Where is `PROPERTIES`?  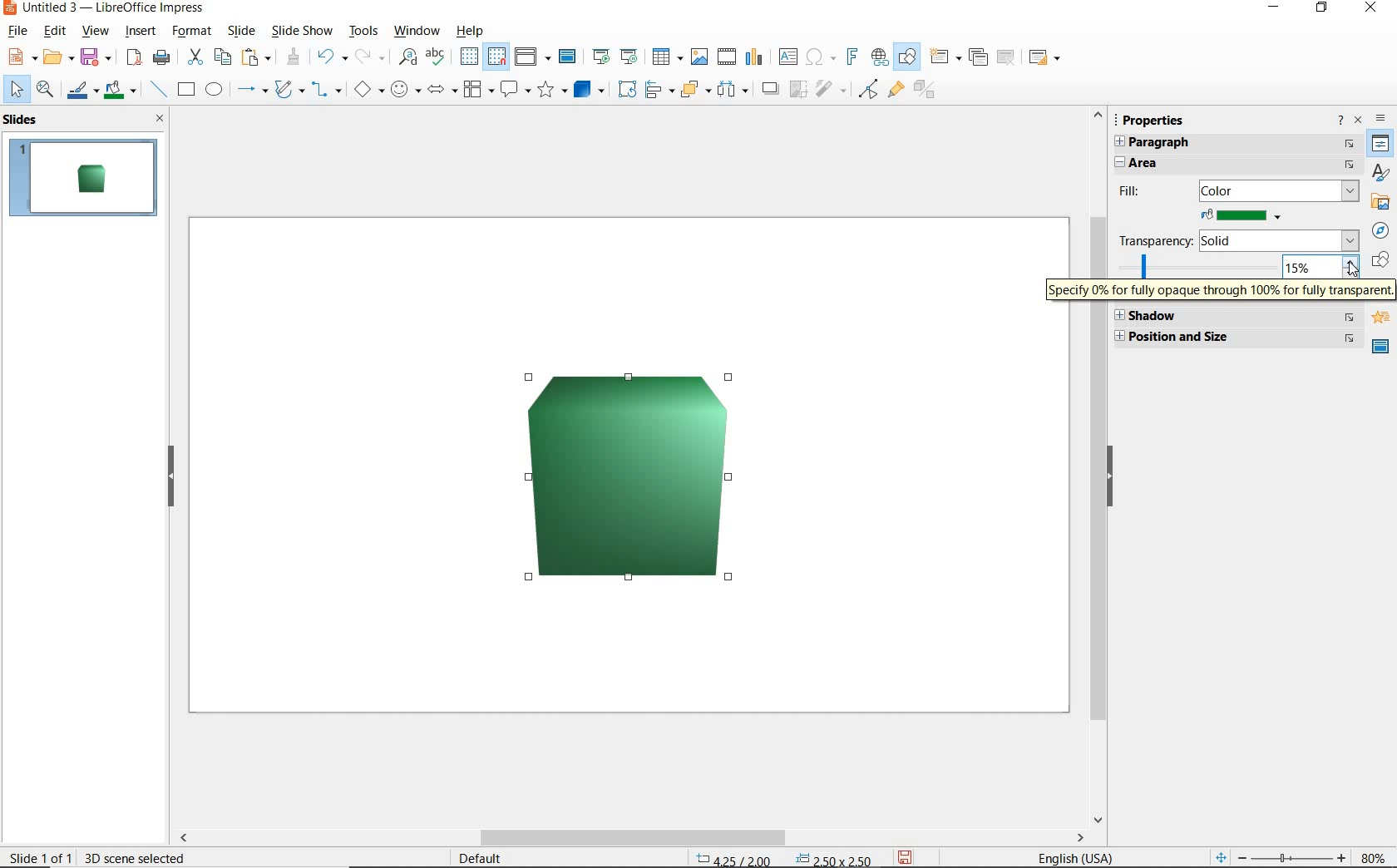
PROPERTIES is located at coordinates (1380, 145).